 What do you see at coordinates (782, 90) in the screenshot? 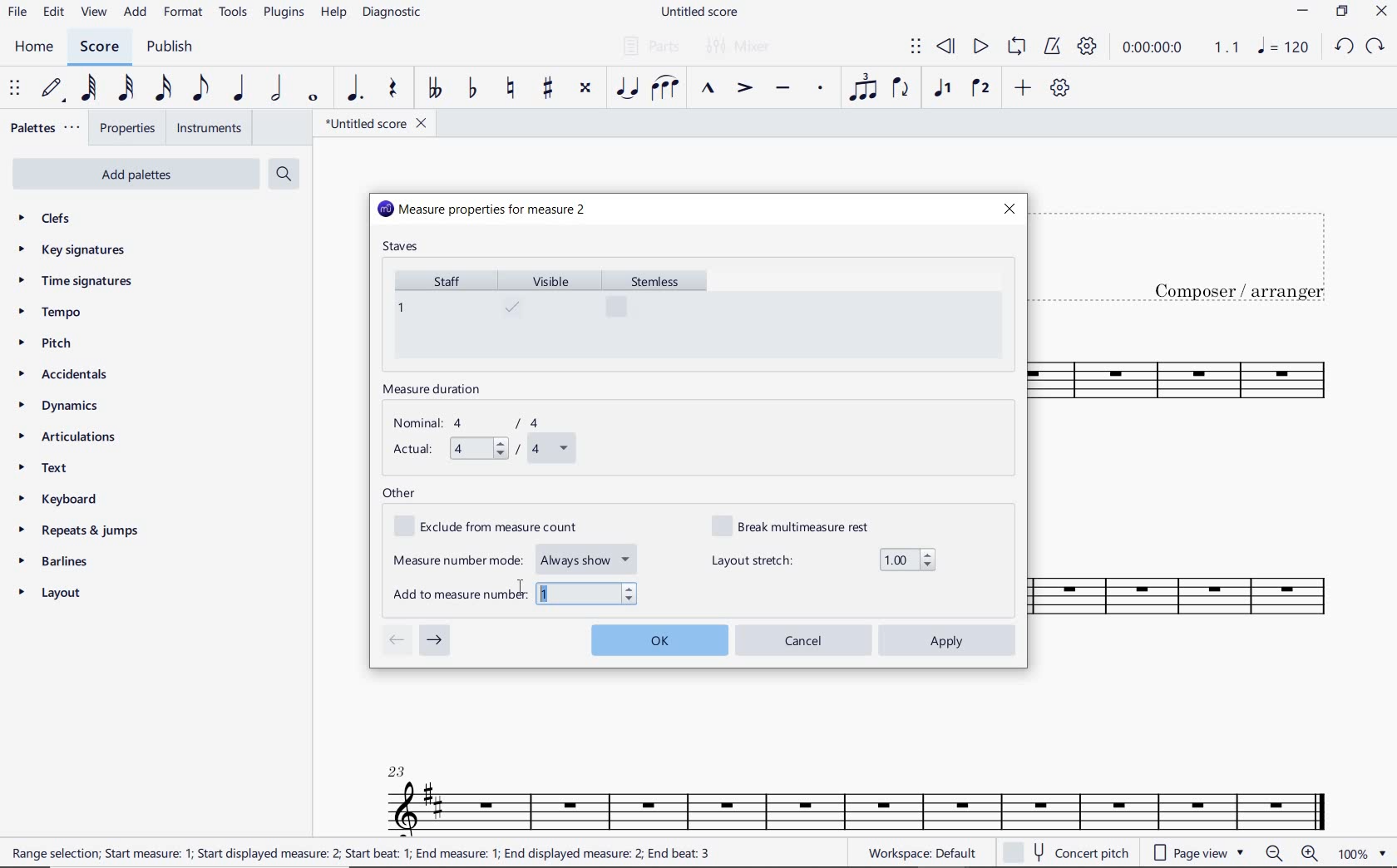
I see `TENUTO` at bounding box center [782, 90].